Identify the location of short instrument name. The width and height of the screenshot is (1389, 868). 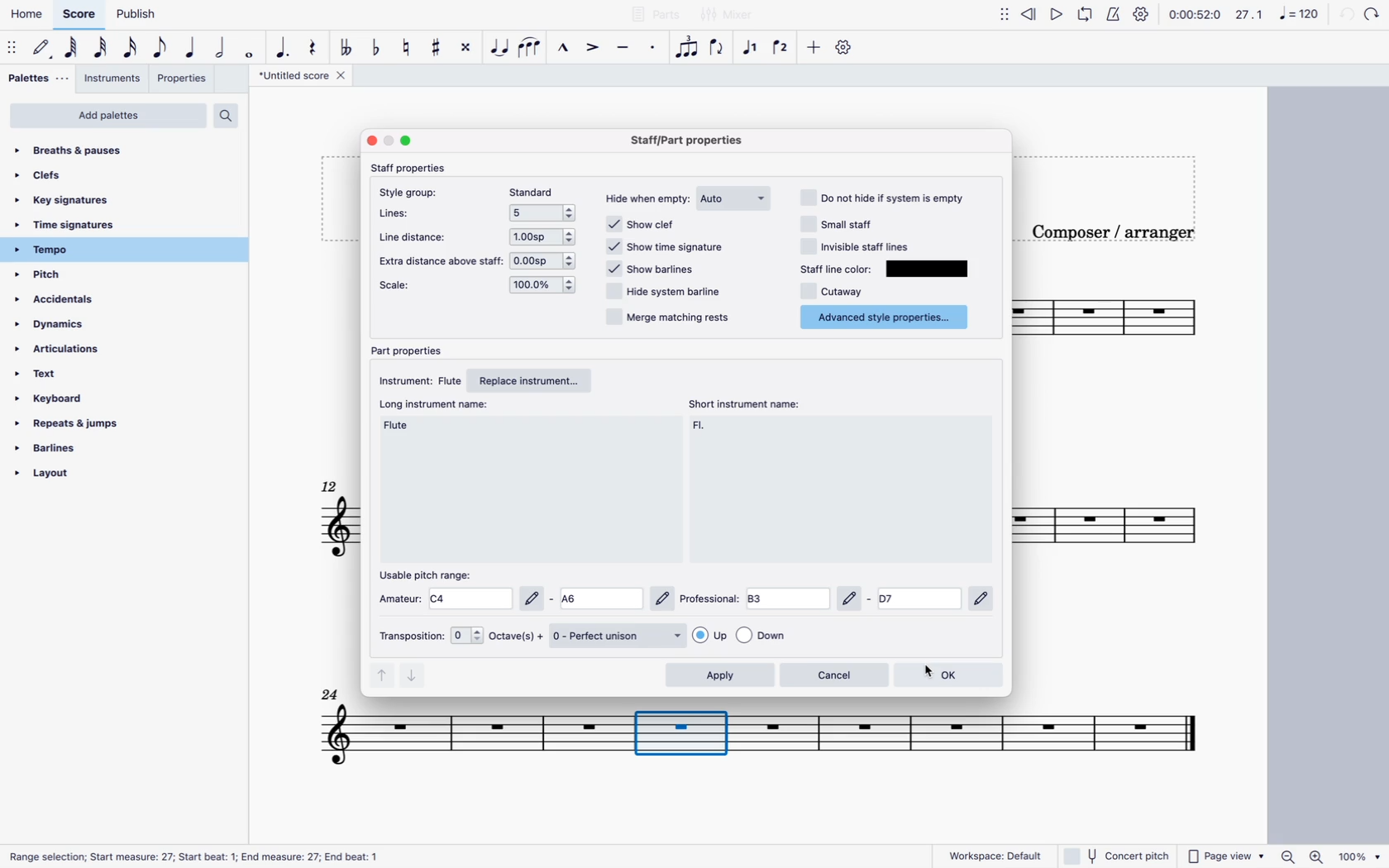
(744, 403).